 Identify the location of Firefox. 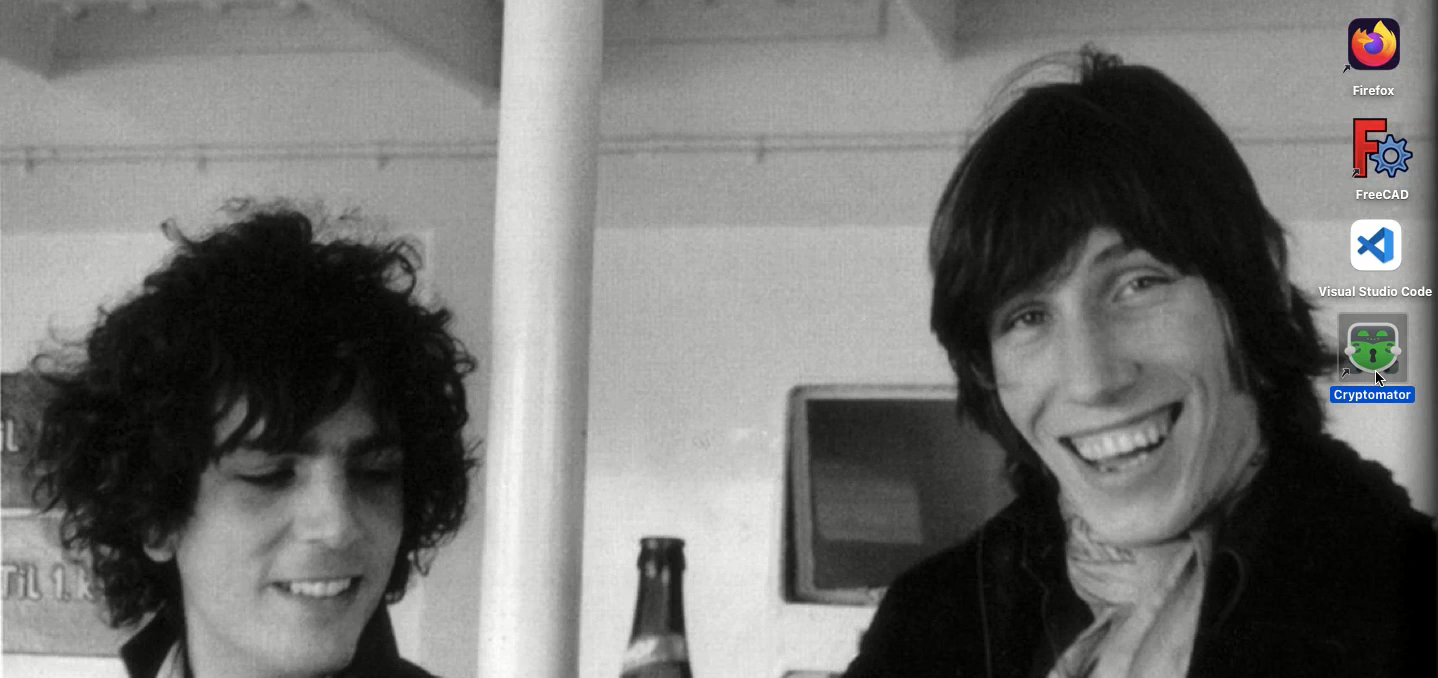
(1367, 55).